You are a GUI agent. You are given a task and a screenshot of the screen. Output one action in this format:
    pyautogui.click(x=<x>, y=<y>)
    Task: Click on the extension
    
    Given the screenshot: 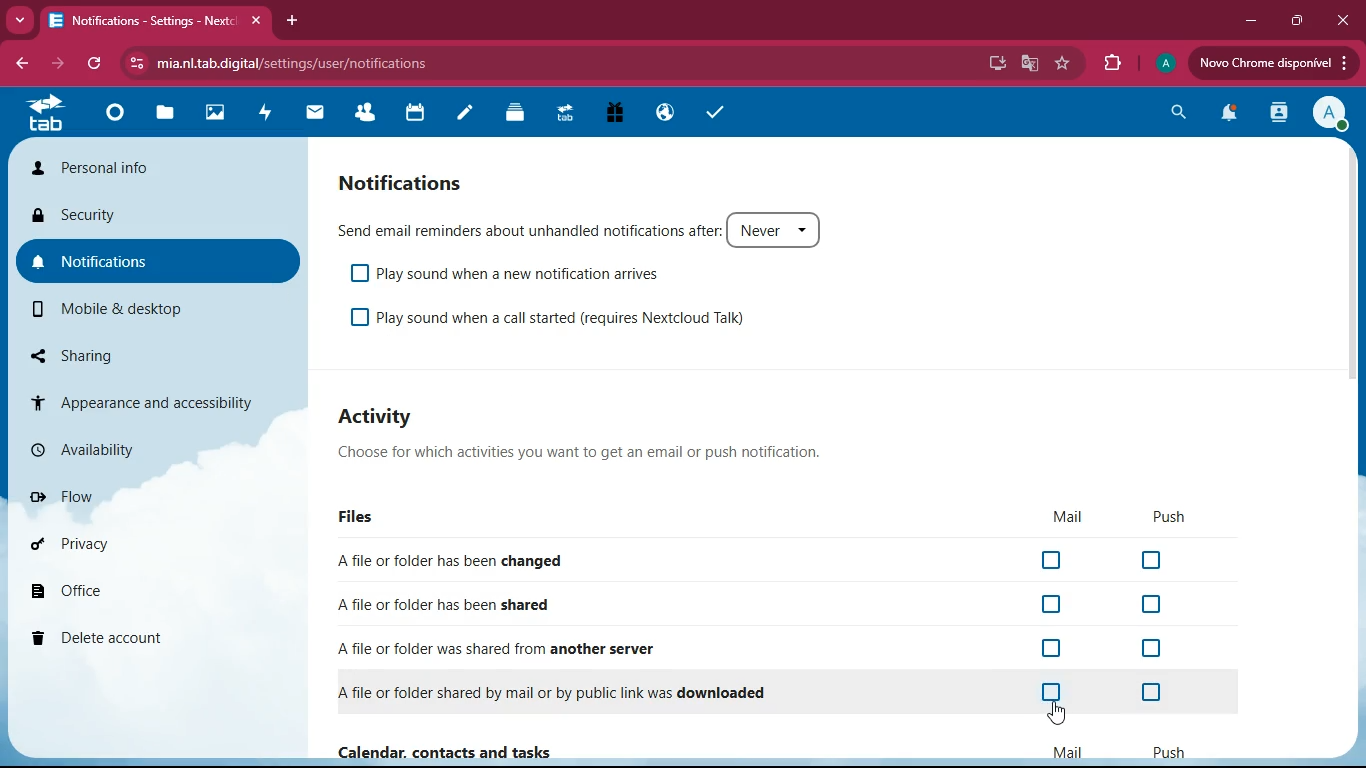 What is the action you would take?
    pyautogui.click(x=1107, y=64)
    